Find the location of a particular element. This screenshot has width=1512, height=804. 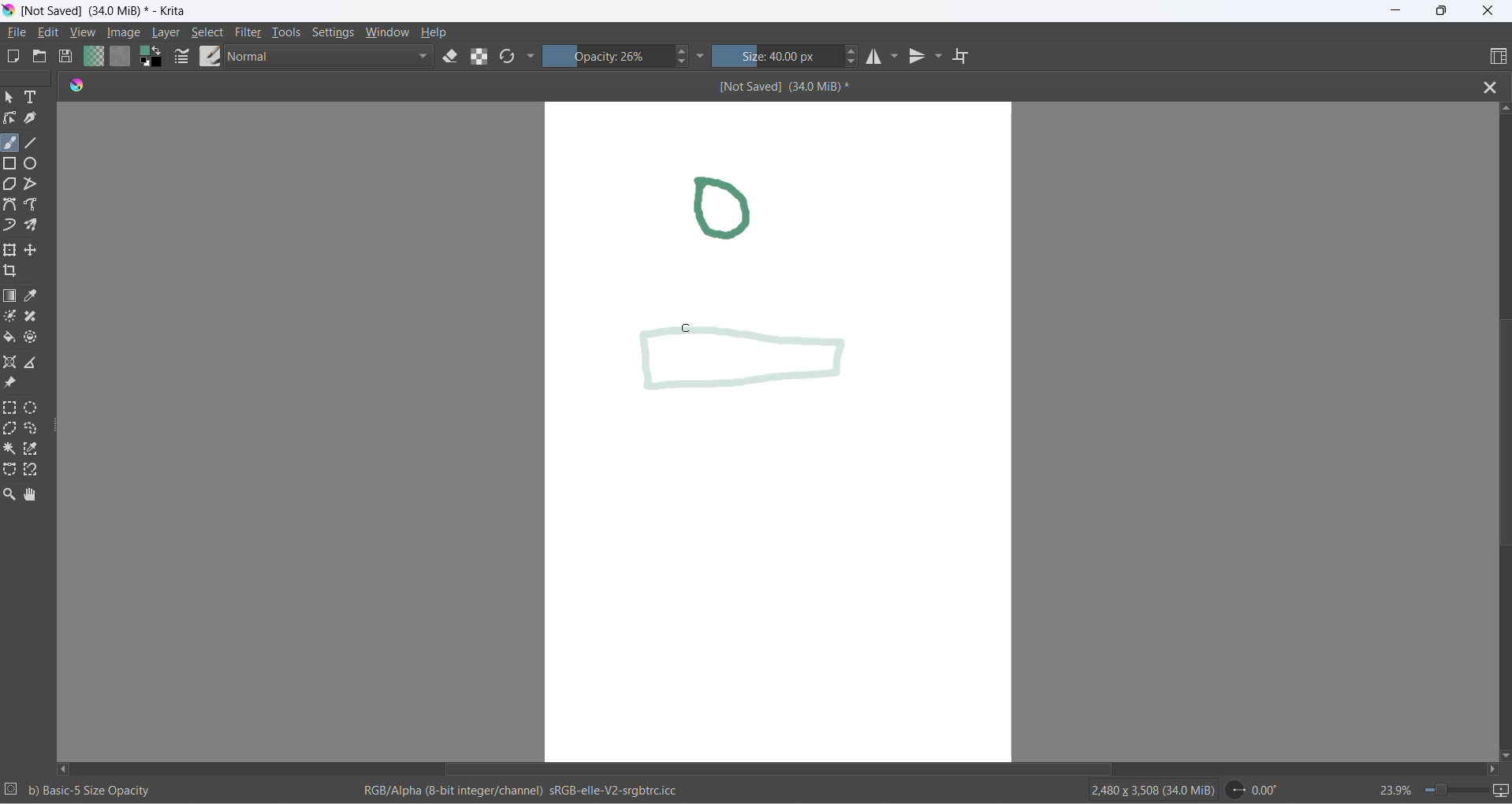

wrap around mode is located at coordinates (968, 56).